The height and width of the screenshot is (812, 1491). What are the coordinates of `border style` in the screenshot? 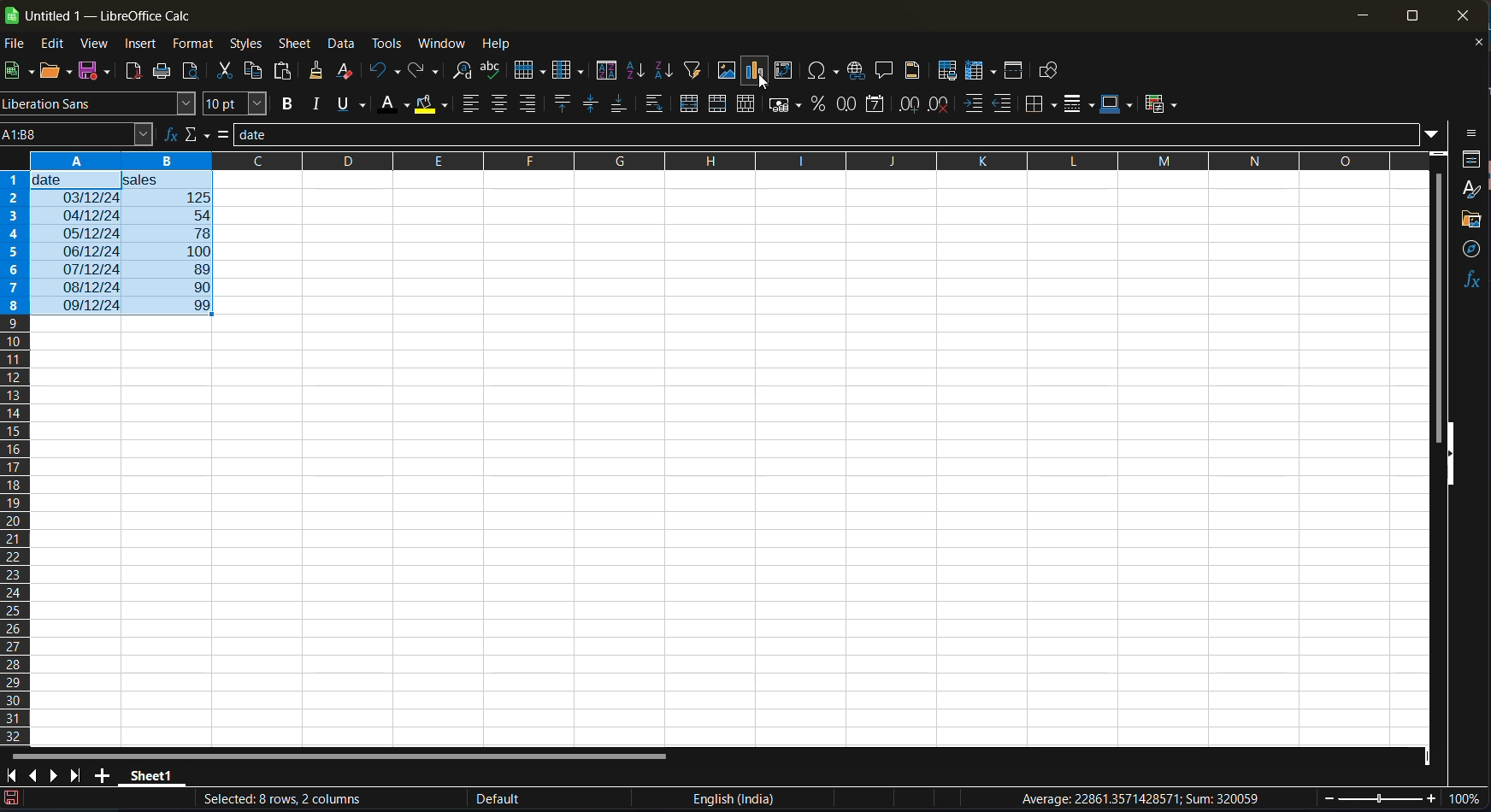 It's located at (1078, 106).